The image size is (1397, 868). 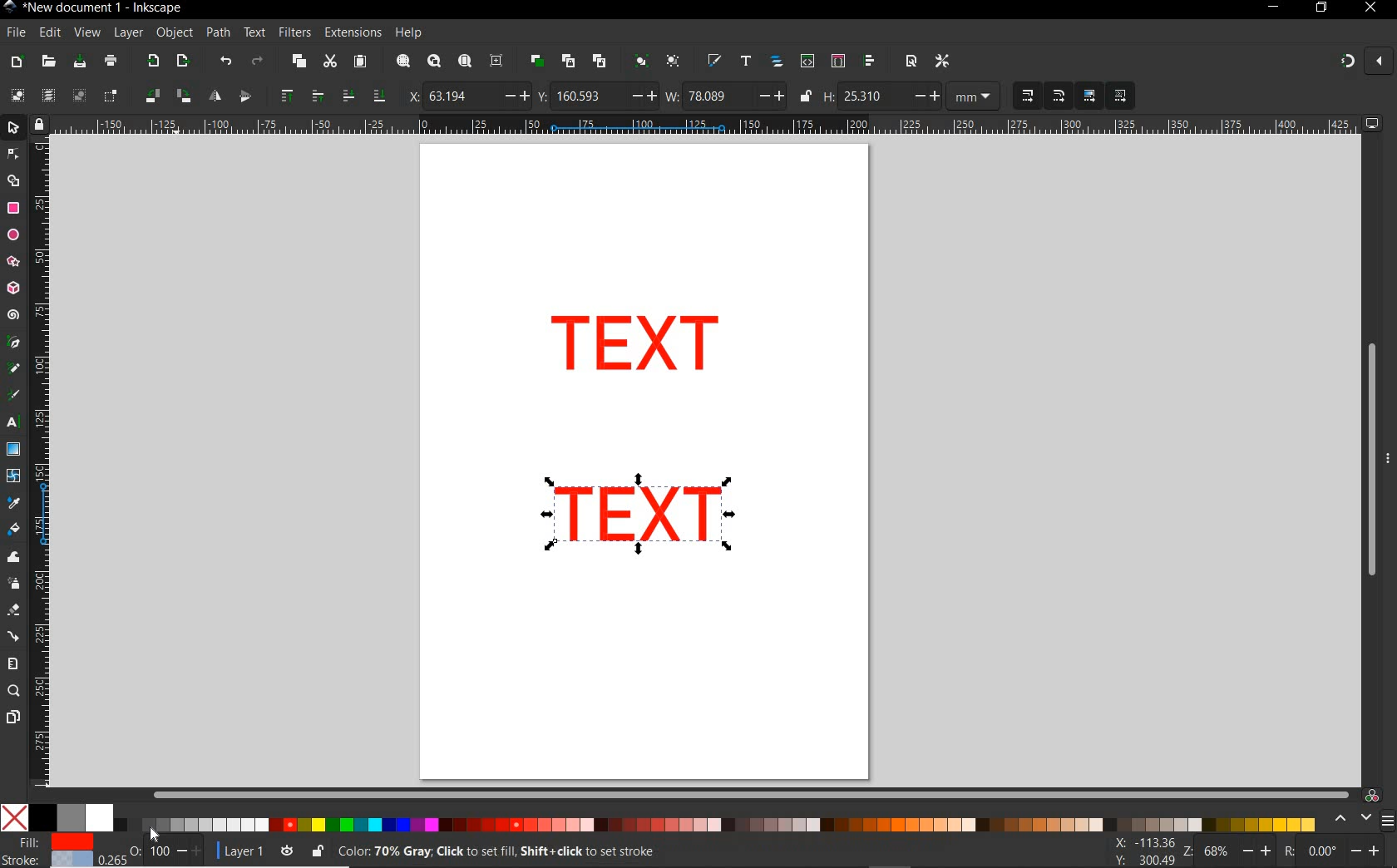 I want to click on pen tool, so click(x=12, y=343).